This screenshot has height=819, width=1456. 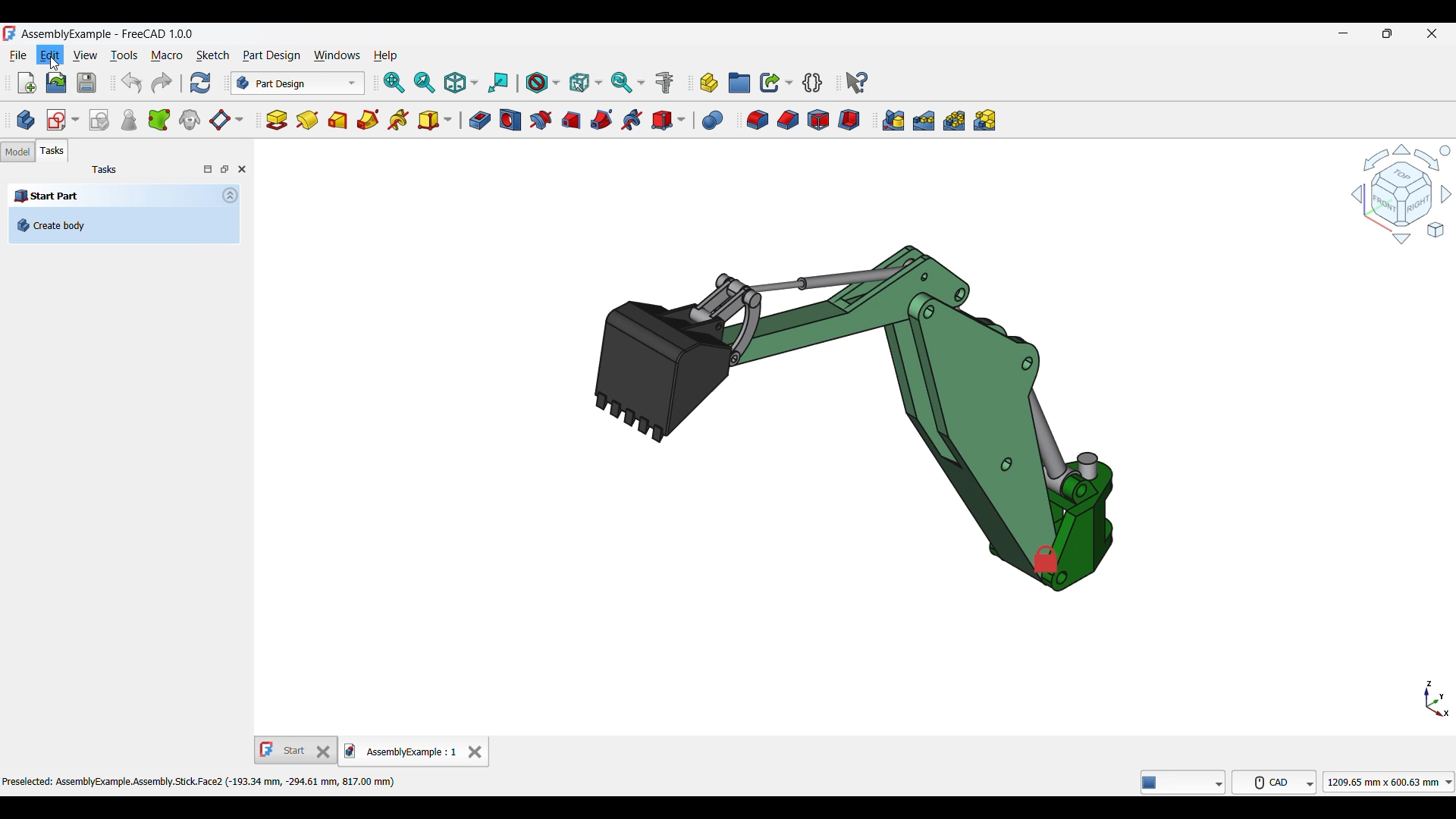 I want to click on Subtractive loft, so click(x=570, y=121).